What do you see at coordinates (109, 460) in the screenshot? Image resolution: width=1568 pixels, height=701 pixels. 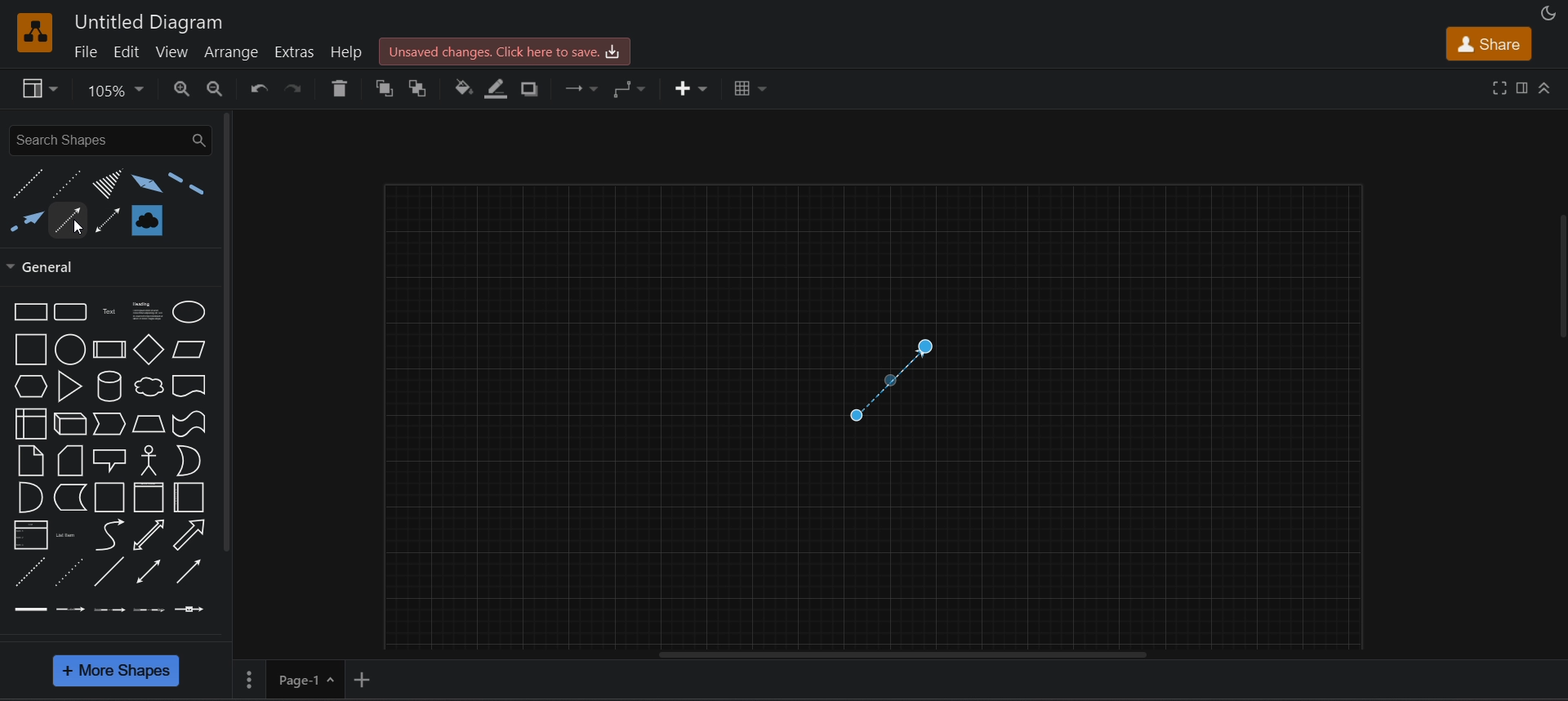 I see `callout` at bounding box center [109, 460].